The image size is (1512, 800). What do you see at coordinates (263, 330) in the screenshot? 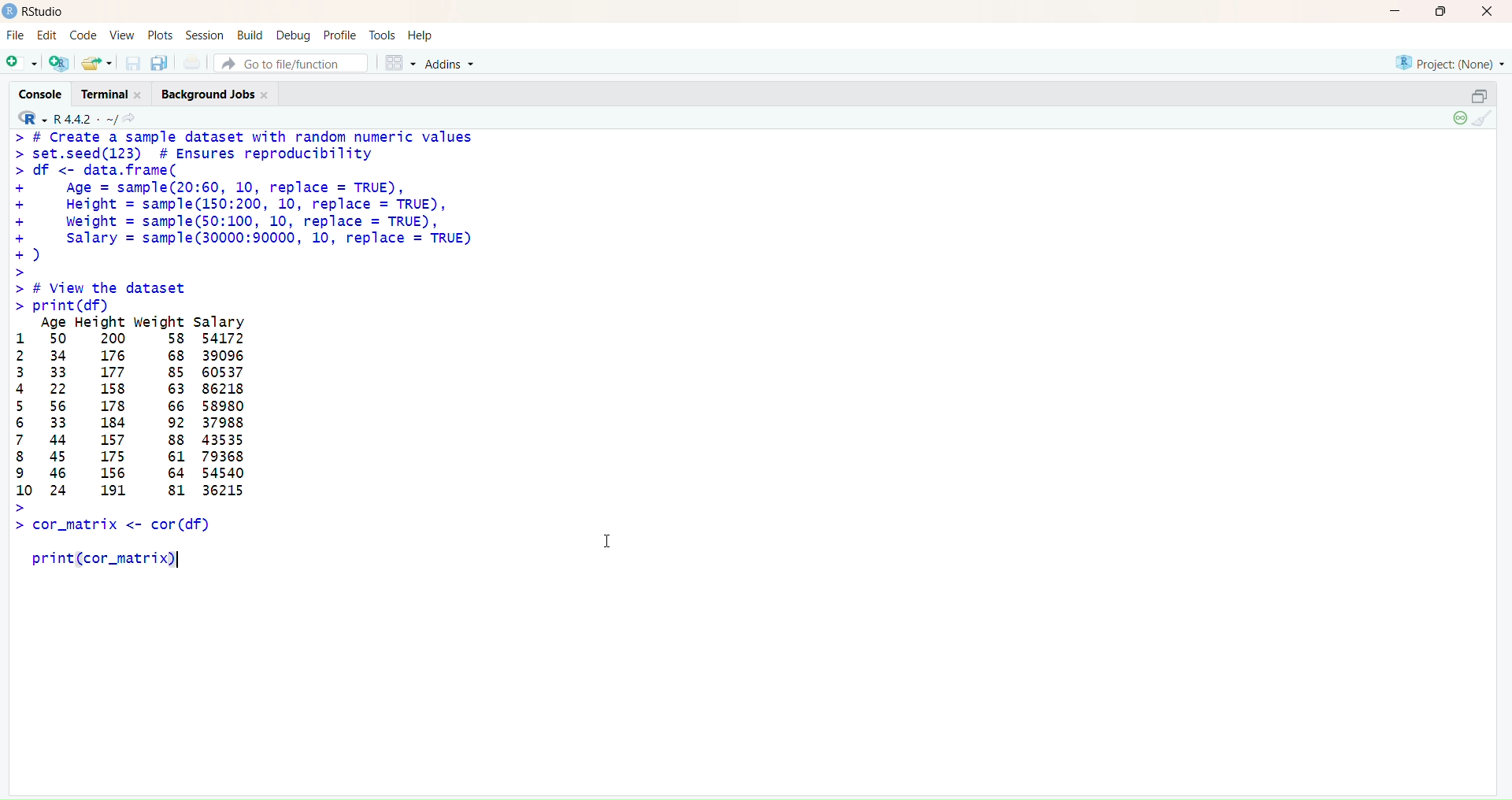
I see `> # Create a sample dataset with random numeric values
> set.seed(123) # Ensures reproducibility
> df <- data.frame(
+ Age = sample(20:60, 10, replace = TRUE),
+ Height = sample(150:200, 10, replace = TRUE),
+ Weight = sample(50:100, 10, replace = TRUE),
+ Salary = samp1e(30000:90000, 10, replace = TRUE)
+)
>
> # View the dataset
> print (df)
Age Height weight salary
1 50 200 58 54172
2 34 176 68 39096
3 33 177 85 60537
4 22 158 63 86218
5 56 178 66 58980
6 33 184 92 37988
7 44 157 88 43535
8 45 175 61 79368
9 46 156 64 54540
10 24 191 81 36215
>
>` at bounding box center [263, 330].